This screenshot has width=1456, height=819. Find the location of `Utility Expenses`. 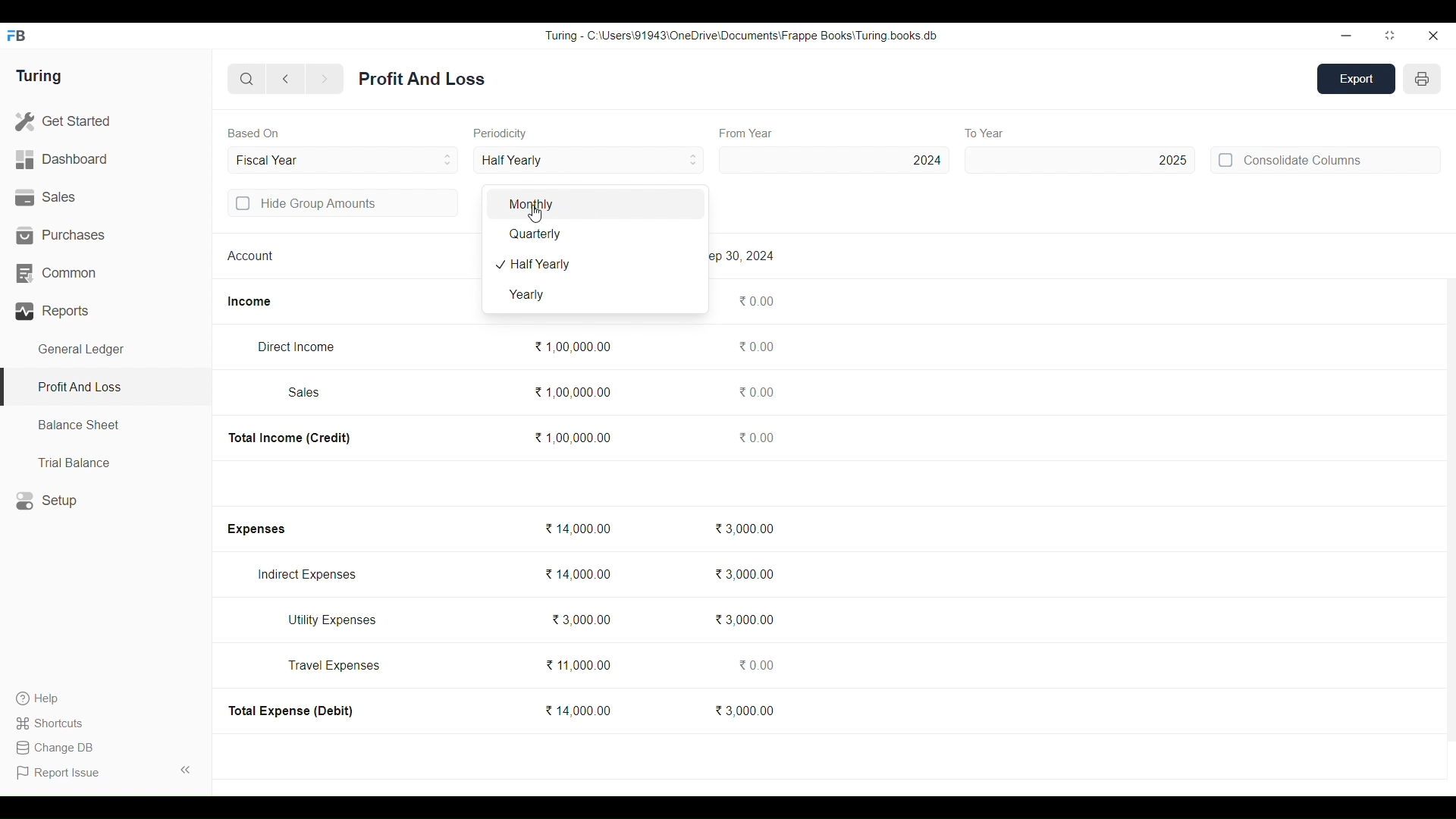

Utility Expenses is located at coordinates (334, 620).